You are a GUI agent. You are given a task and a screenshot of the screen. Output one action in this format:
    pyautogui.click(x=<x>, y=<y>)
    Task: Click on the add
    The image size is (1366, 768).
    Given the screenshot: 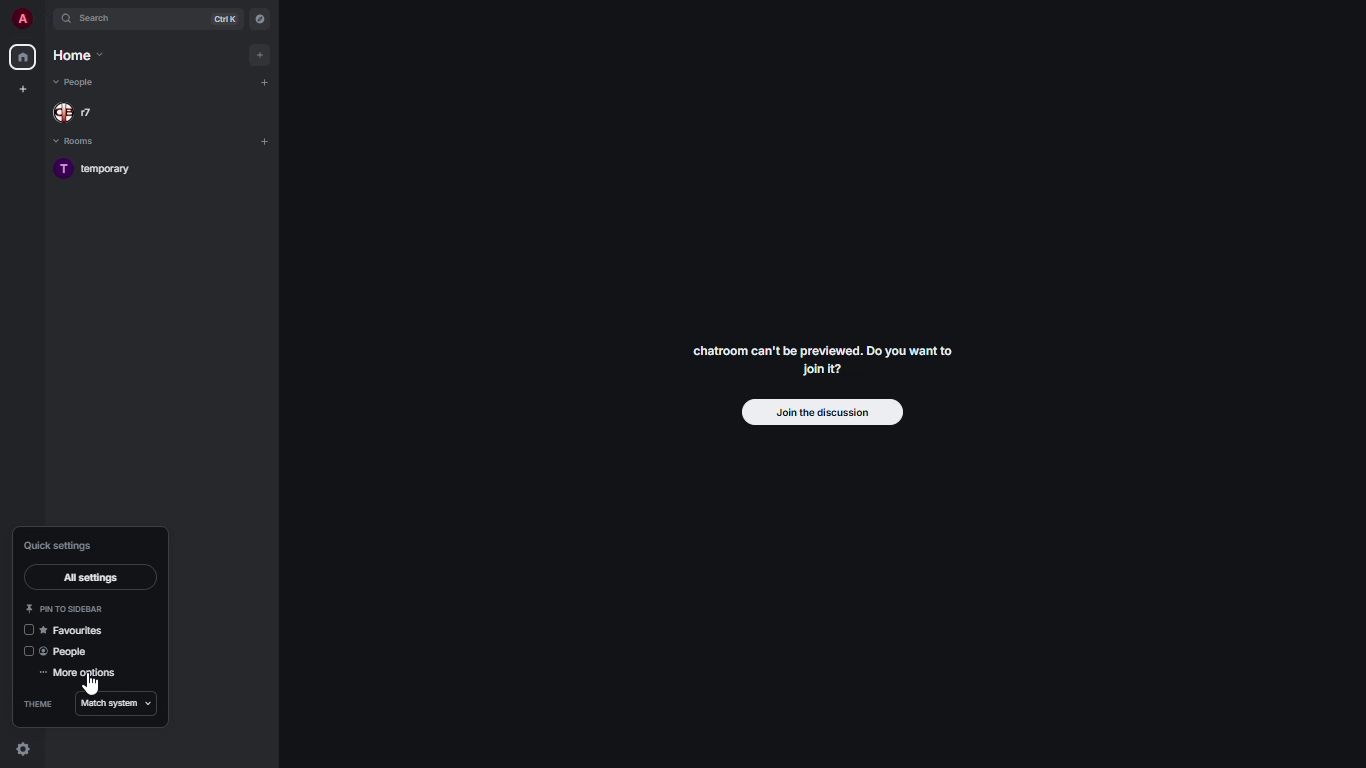 What is the action you would take?
    pyautogui.click(x=266, y=141)
    